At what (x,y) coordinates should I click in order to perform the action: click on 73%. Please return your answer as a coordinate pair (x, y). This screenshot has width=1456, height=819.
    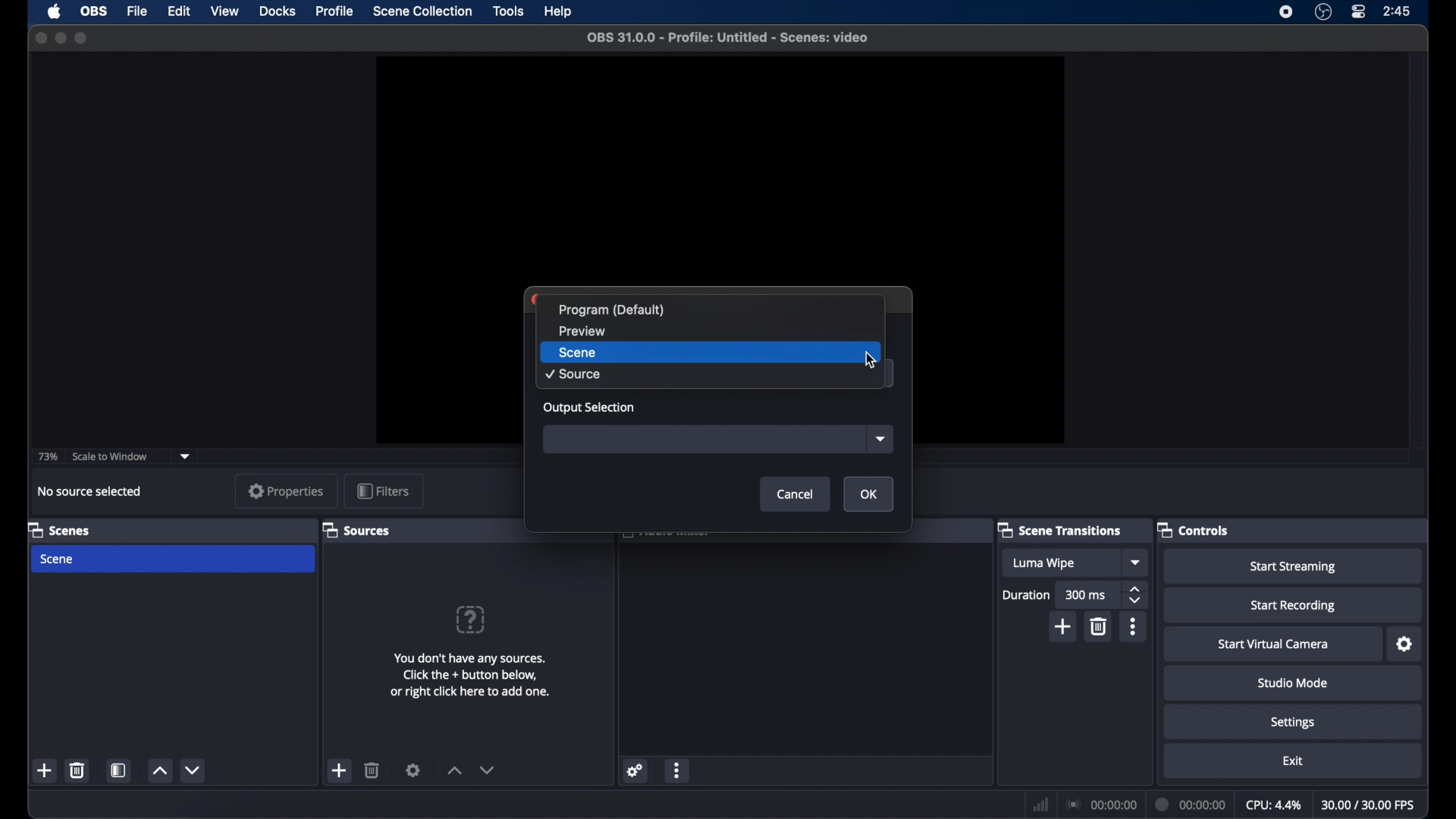
    Looking at the image, I should click on (46, 457).